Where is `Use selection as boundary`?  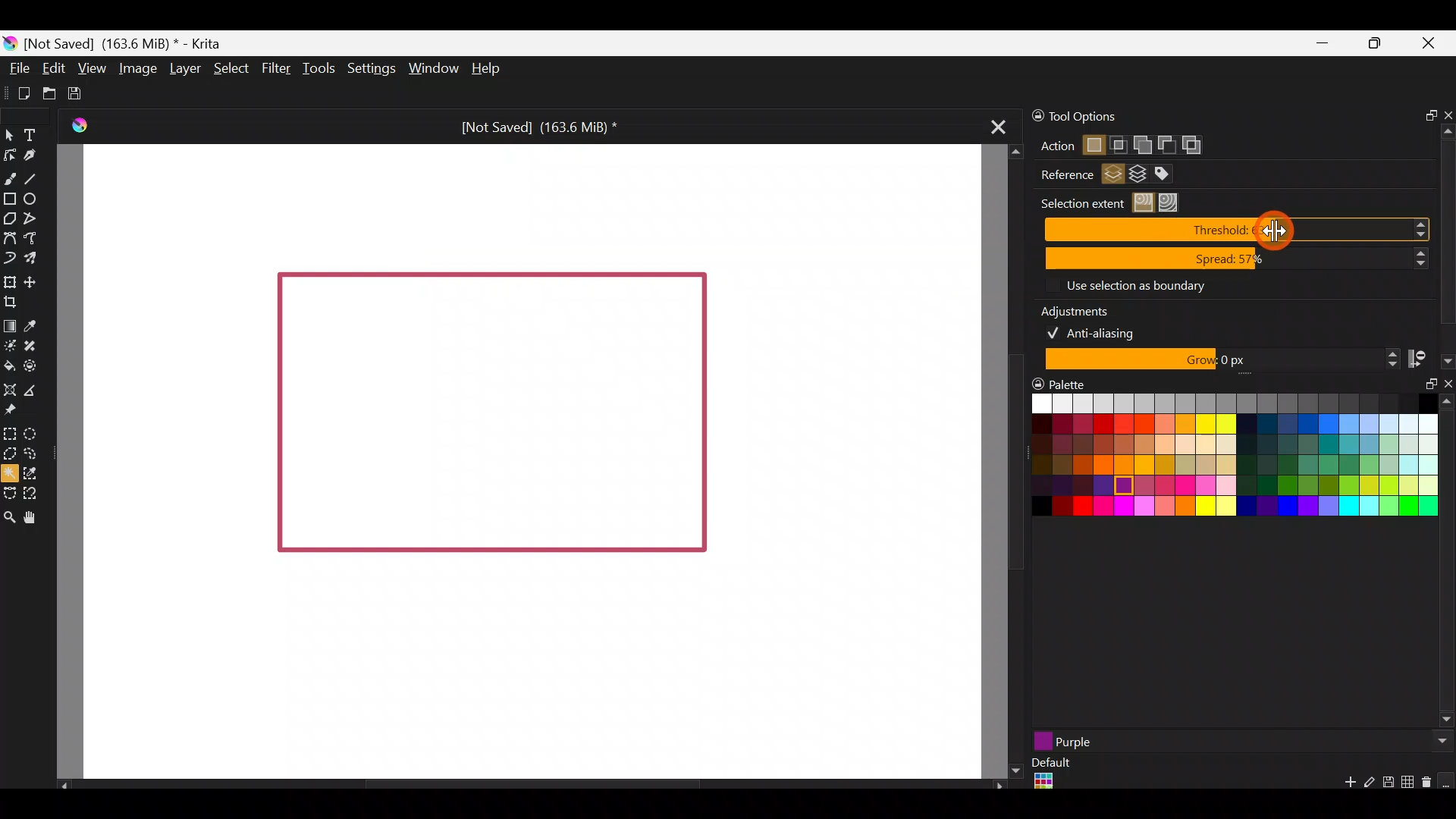
Use selection as boundary is located at coordinates (1134, 284).